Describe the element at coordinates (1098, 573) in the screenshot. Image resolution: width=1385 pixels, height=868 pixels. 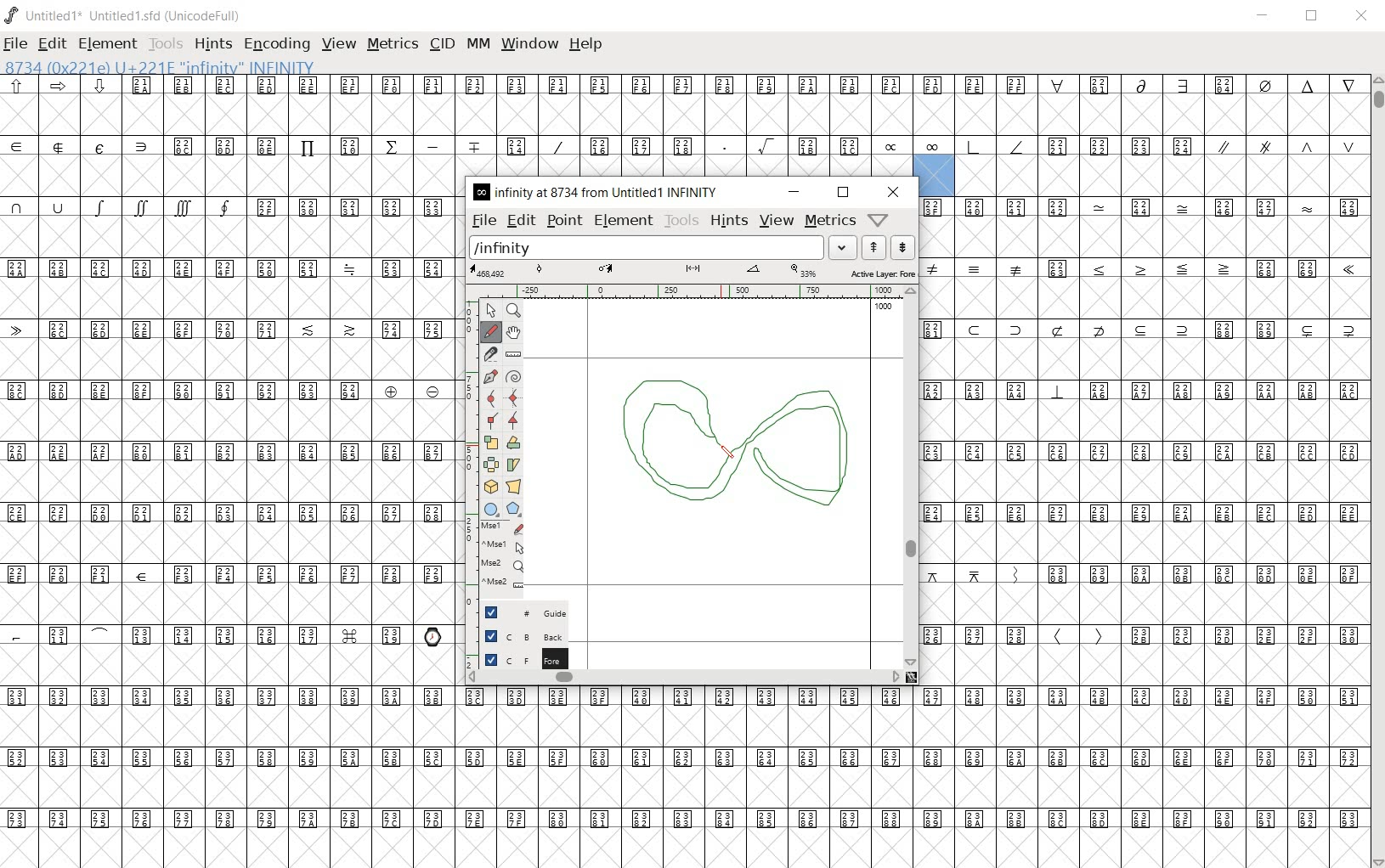
I see `Unicode code points` at that location.